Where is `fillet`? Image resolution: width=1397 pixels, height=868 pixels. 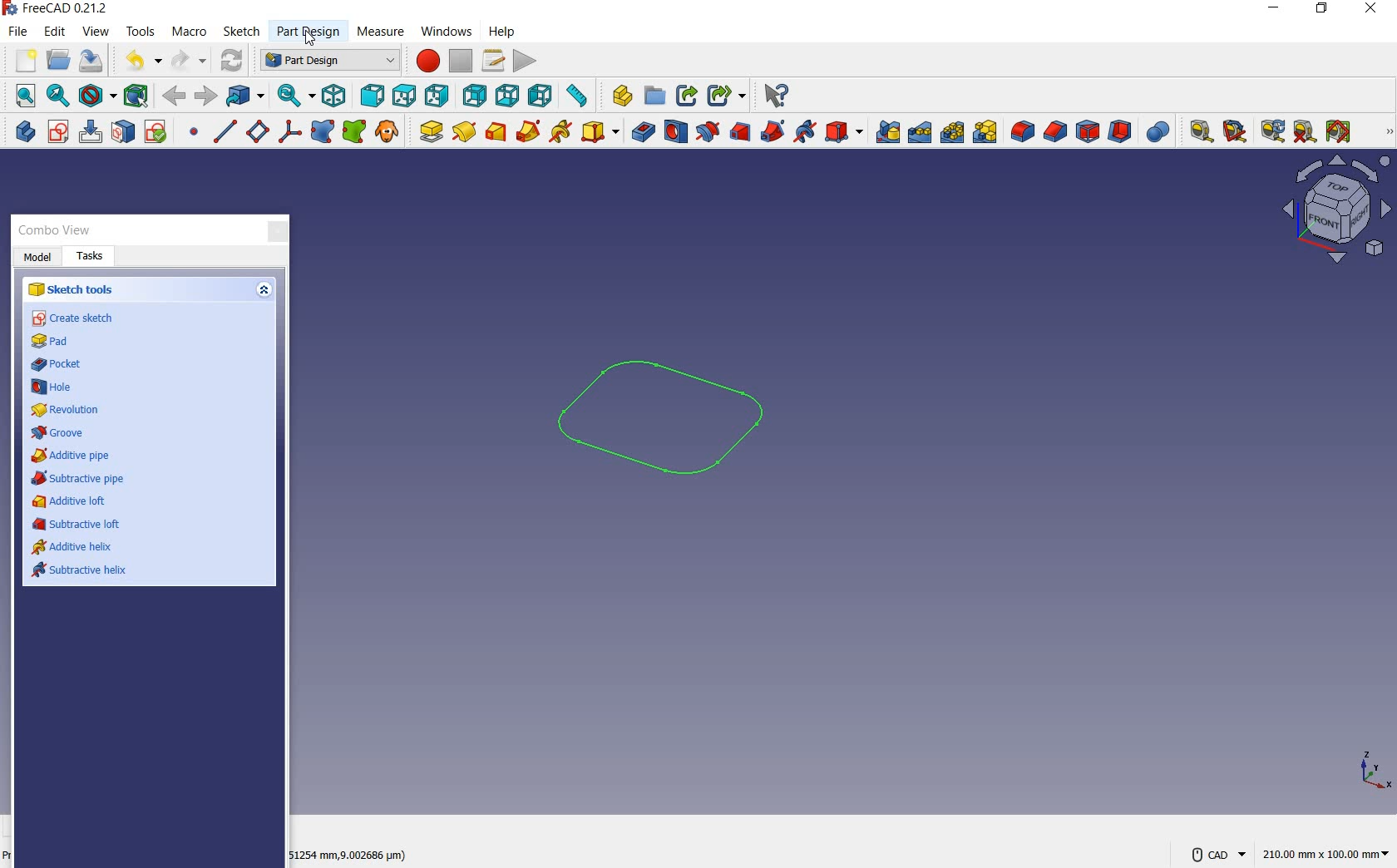
fillet is located at coordinates (1023, 132).